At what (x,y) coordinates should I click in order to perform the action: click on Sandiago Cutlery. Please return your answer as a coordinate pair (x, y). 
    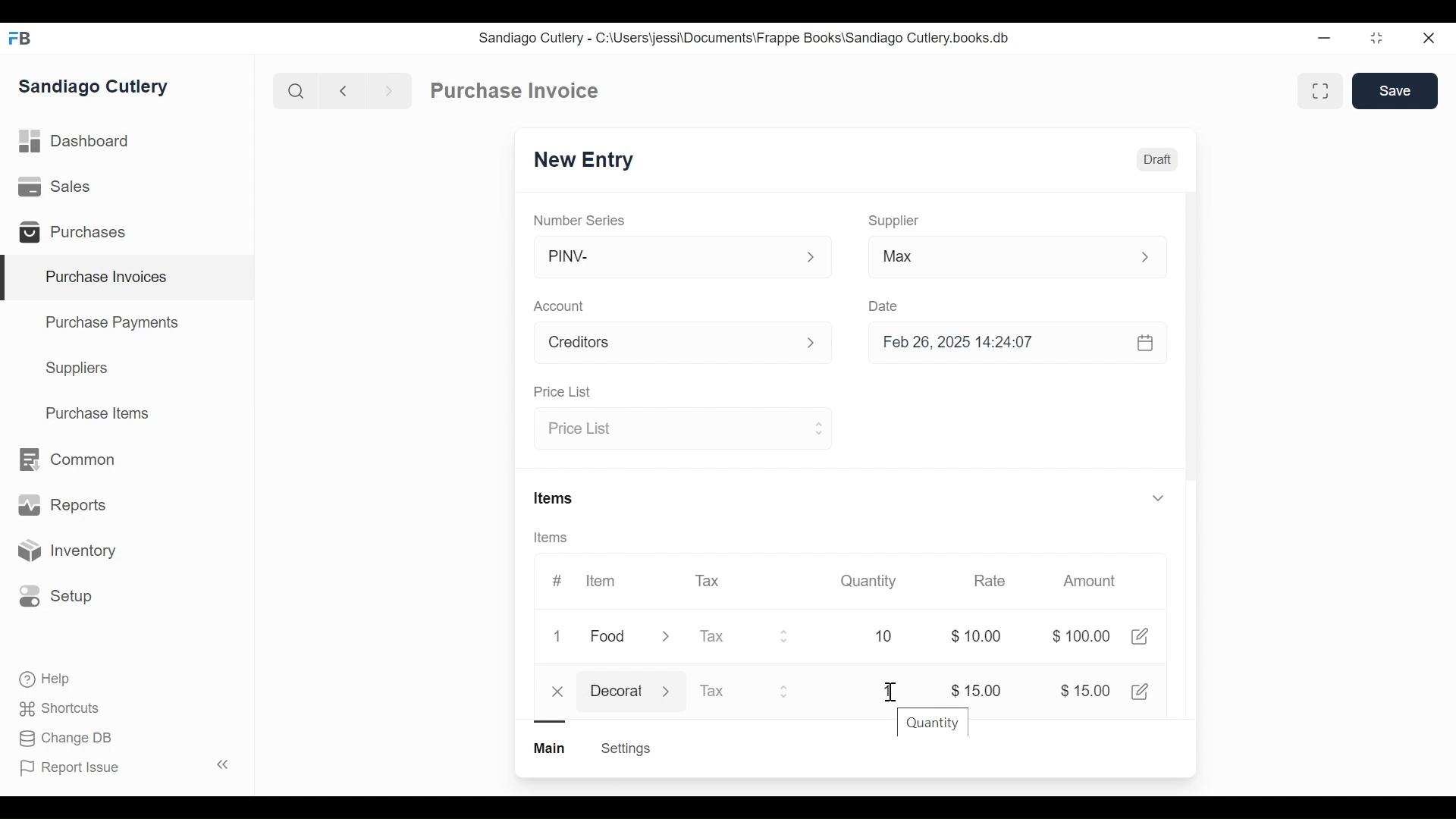
    Looking at the image, I should click on (96, 88).